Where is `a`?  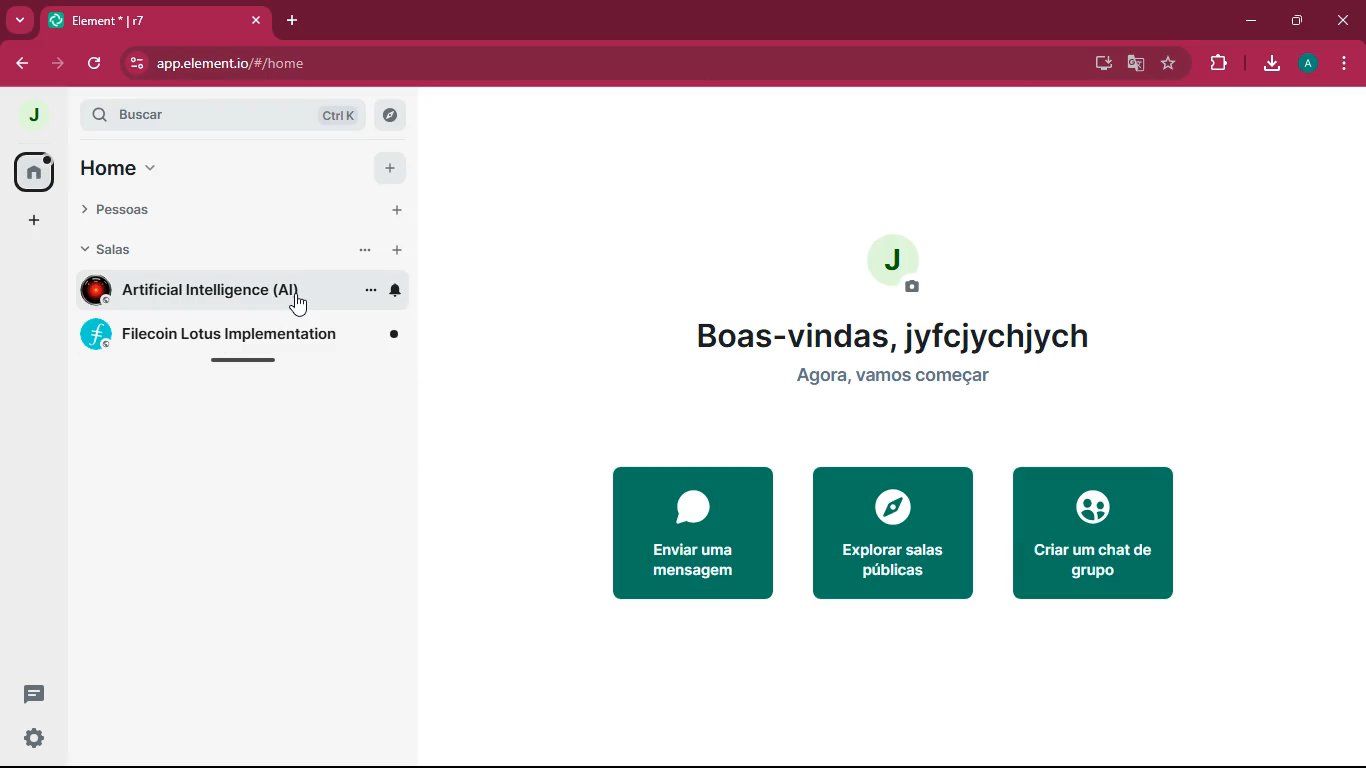
a is located at coordinates (1304, 64).